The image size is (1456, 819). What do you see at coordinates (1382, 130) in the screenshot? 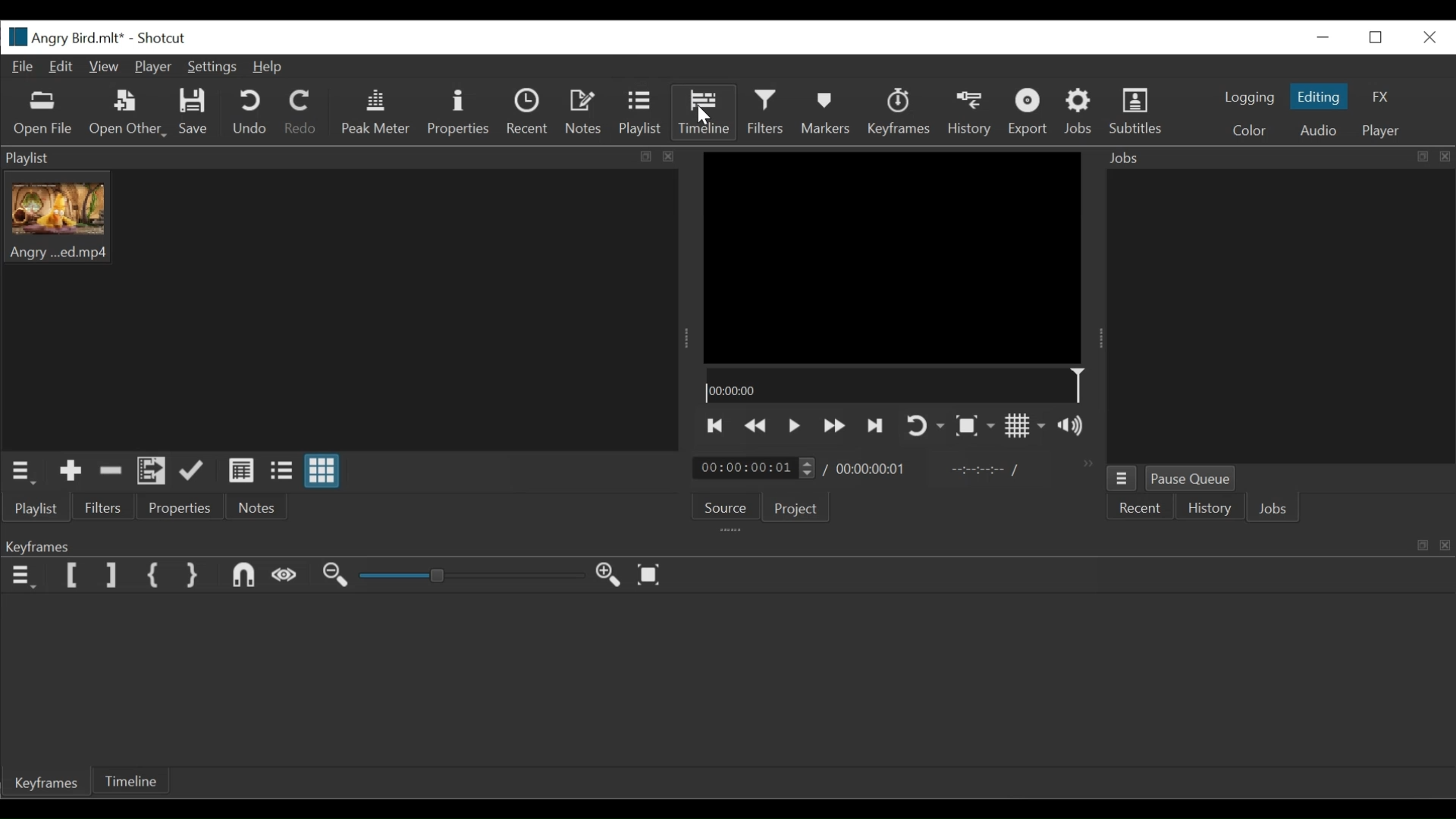
I see `Player` at bounding box center [1382, 130].